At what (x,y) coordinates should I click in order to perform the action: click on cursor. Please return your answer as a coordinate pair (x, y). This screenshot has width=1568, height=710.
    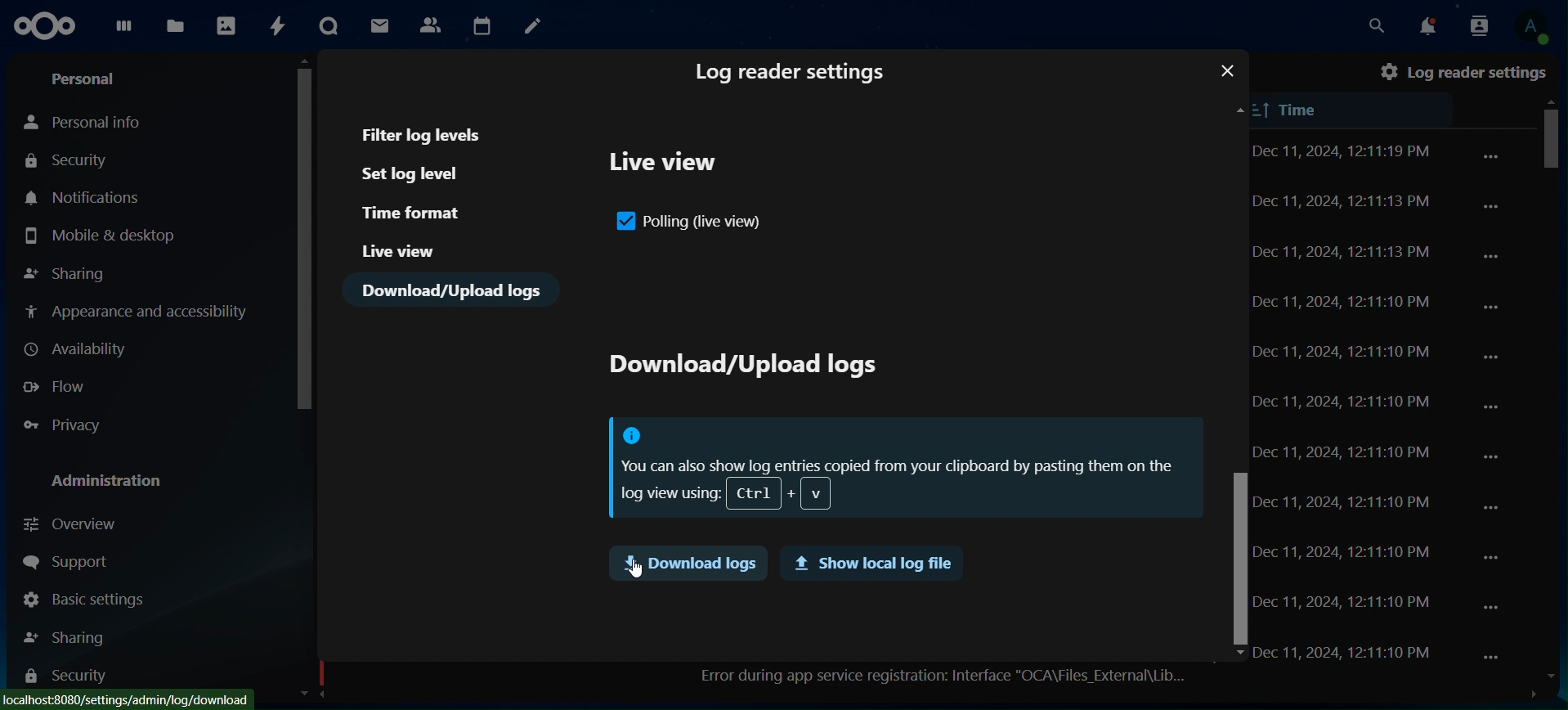
    Looking at the image, I should click on (637, 568).